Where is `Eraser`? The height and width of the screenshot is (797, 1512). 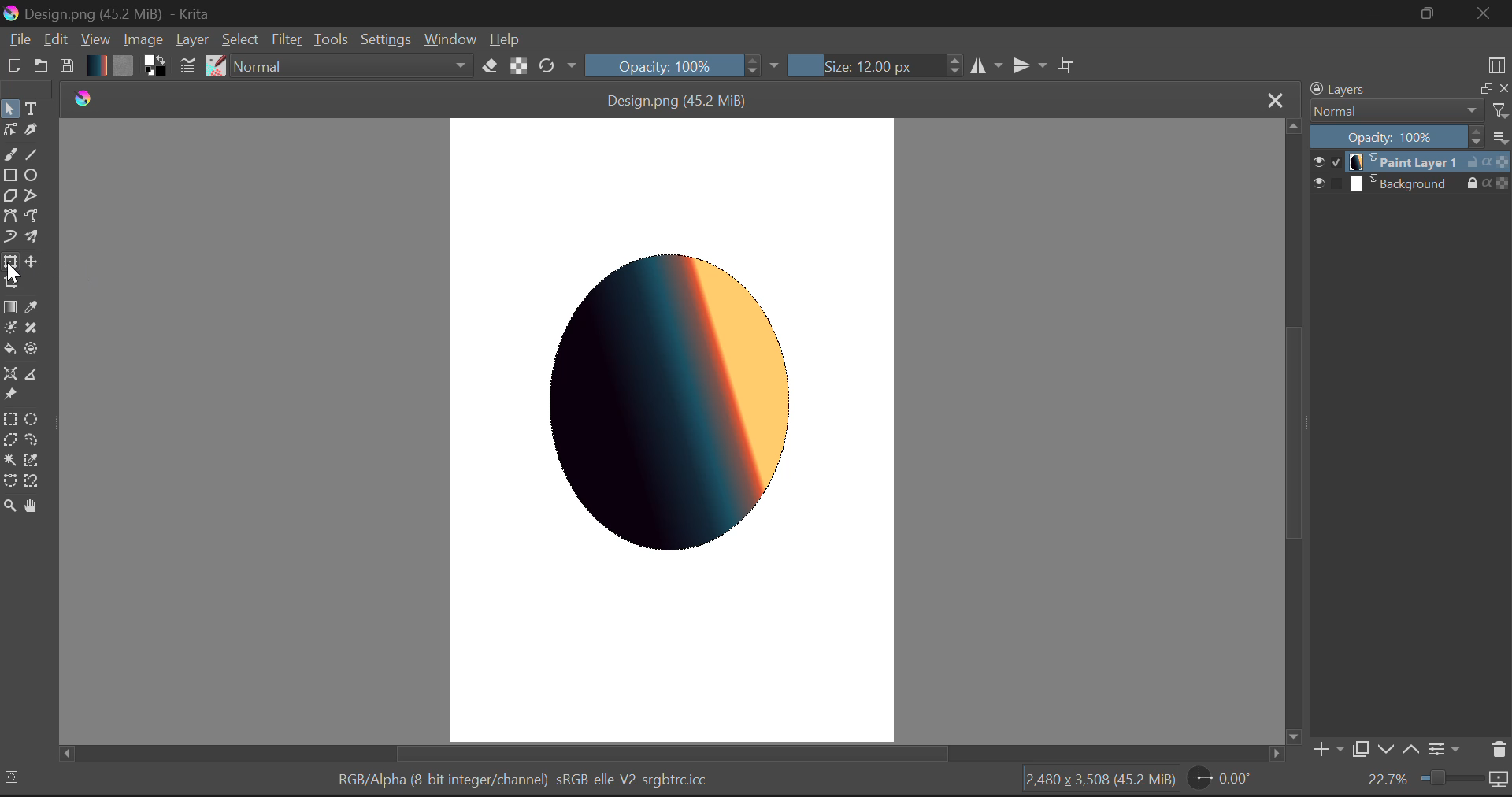 Eraser is located at coordinates (491, 65).